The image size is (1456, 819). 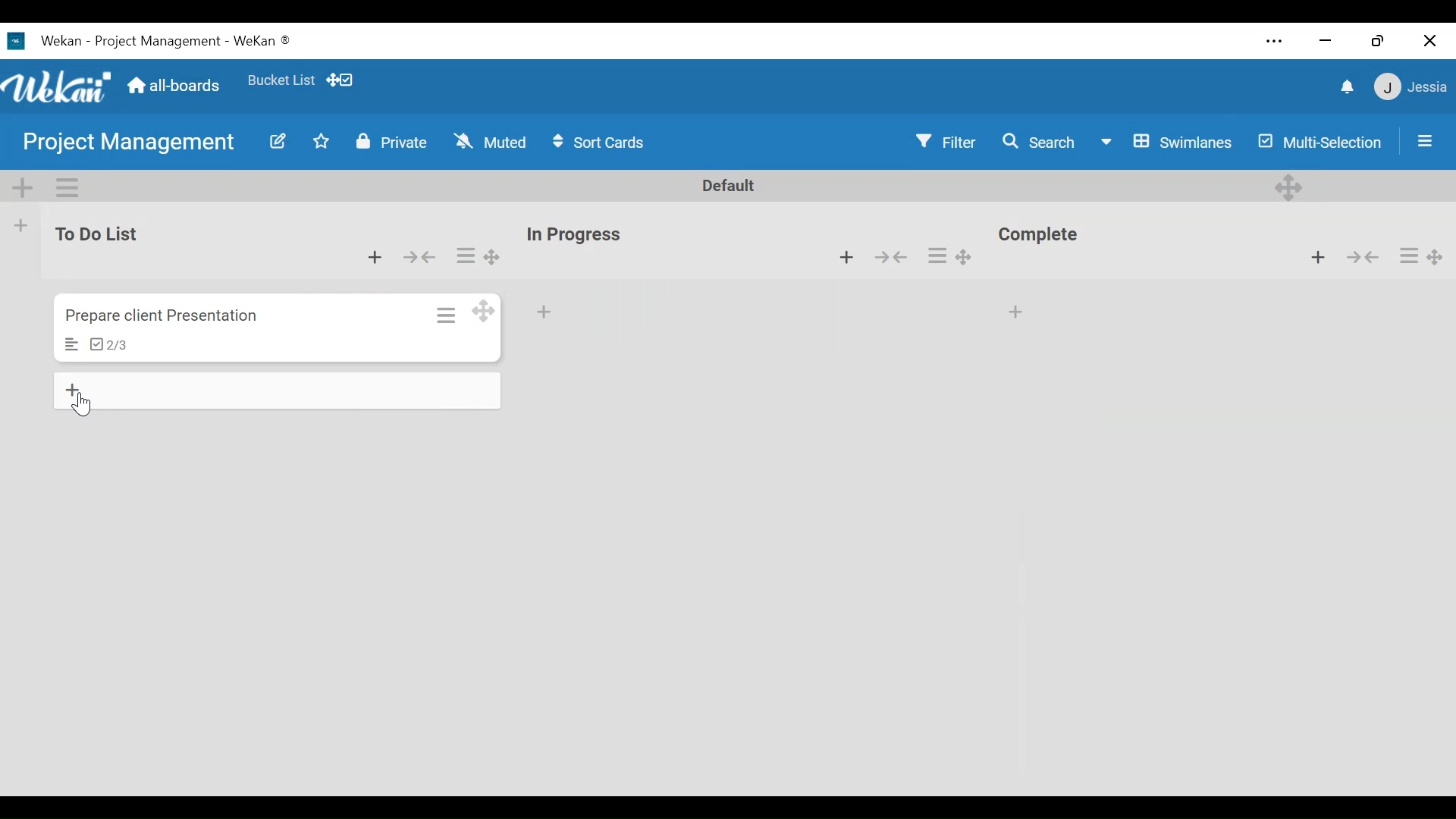 I want to click on Complete, so click(x=1044, y=237).